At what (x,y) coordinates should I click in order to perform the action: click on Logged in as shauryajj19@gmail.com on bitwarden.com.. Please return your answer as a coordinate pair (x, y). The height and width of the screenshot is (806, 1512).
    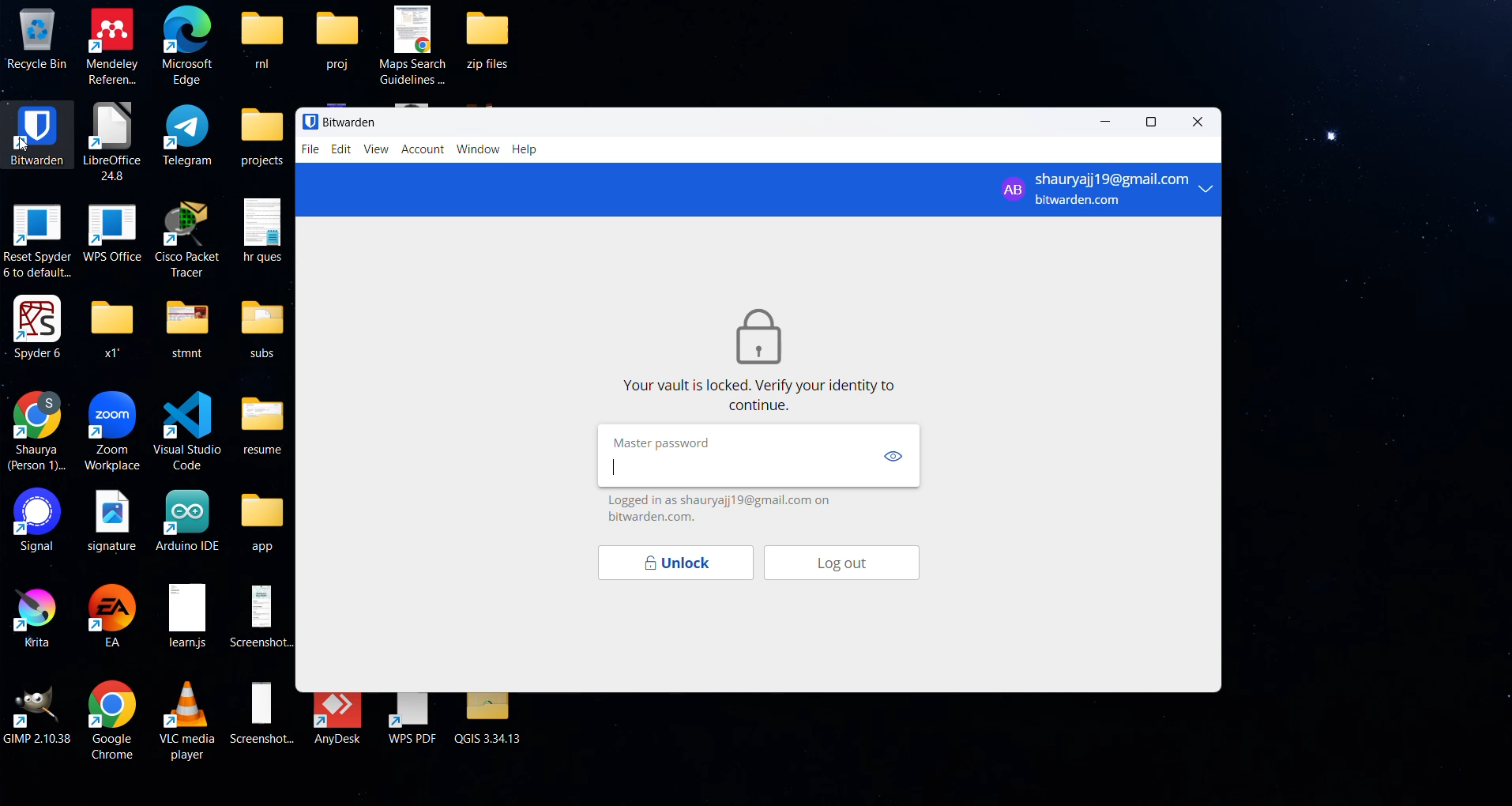
    Looking at the image, I should click on (725, 508).